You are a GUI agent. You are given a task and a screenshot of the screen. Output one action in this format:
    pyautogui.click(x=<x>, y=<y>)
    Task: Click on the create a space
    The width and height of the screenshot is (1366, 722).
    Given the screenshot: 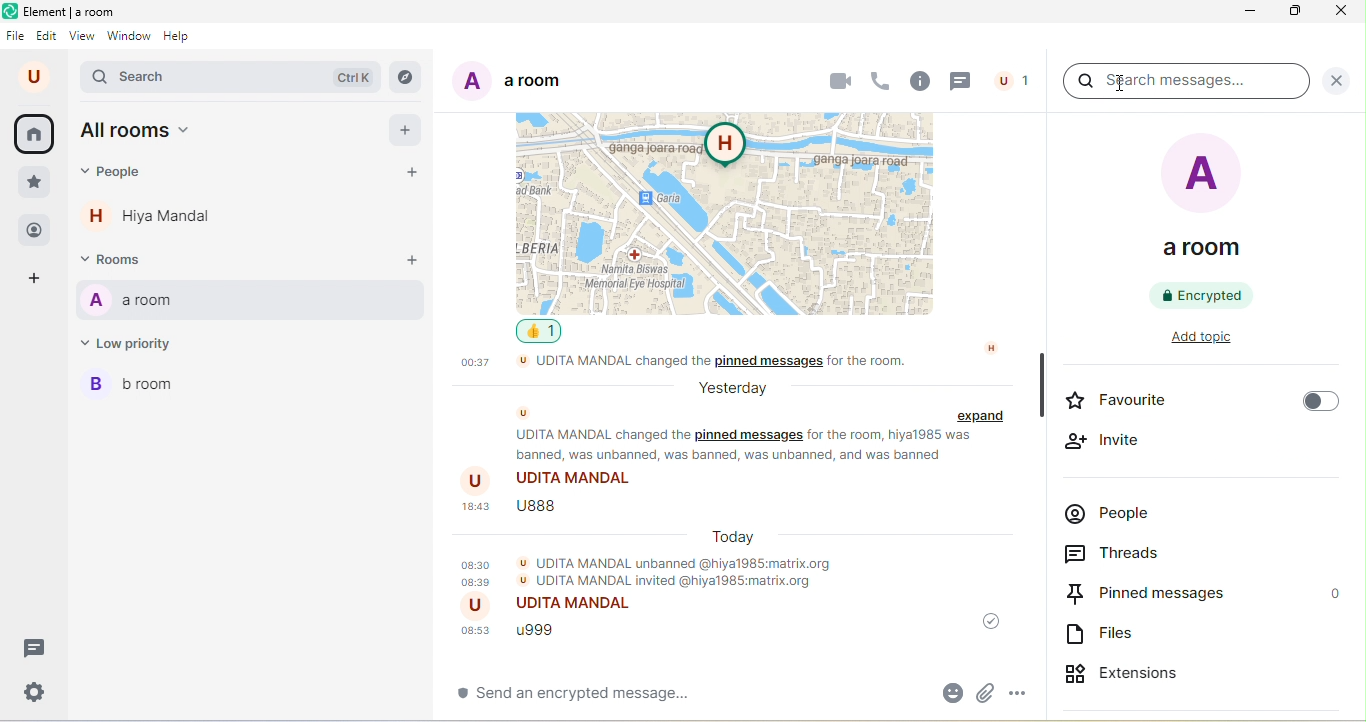 What is the action you would take?
    pyautogui.click(x=42, y=280)
    